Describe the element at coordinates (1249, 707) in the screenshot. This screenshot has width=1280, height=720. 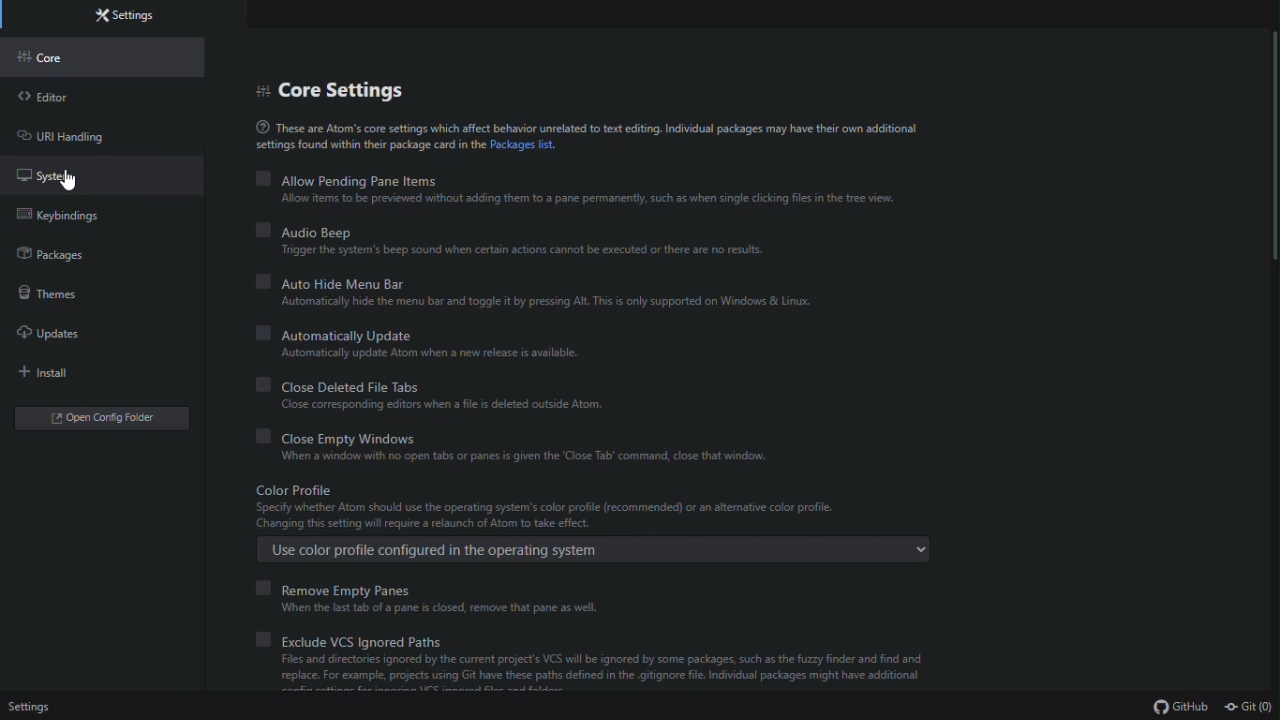
I see `git` at that location.